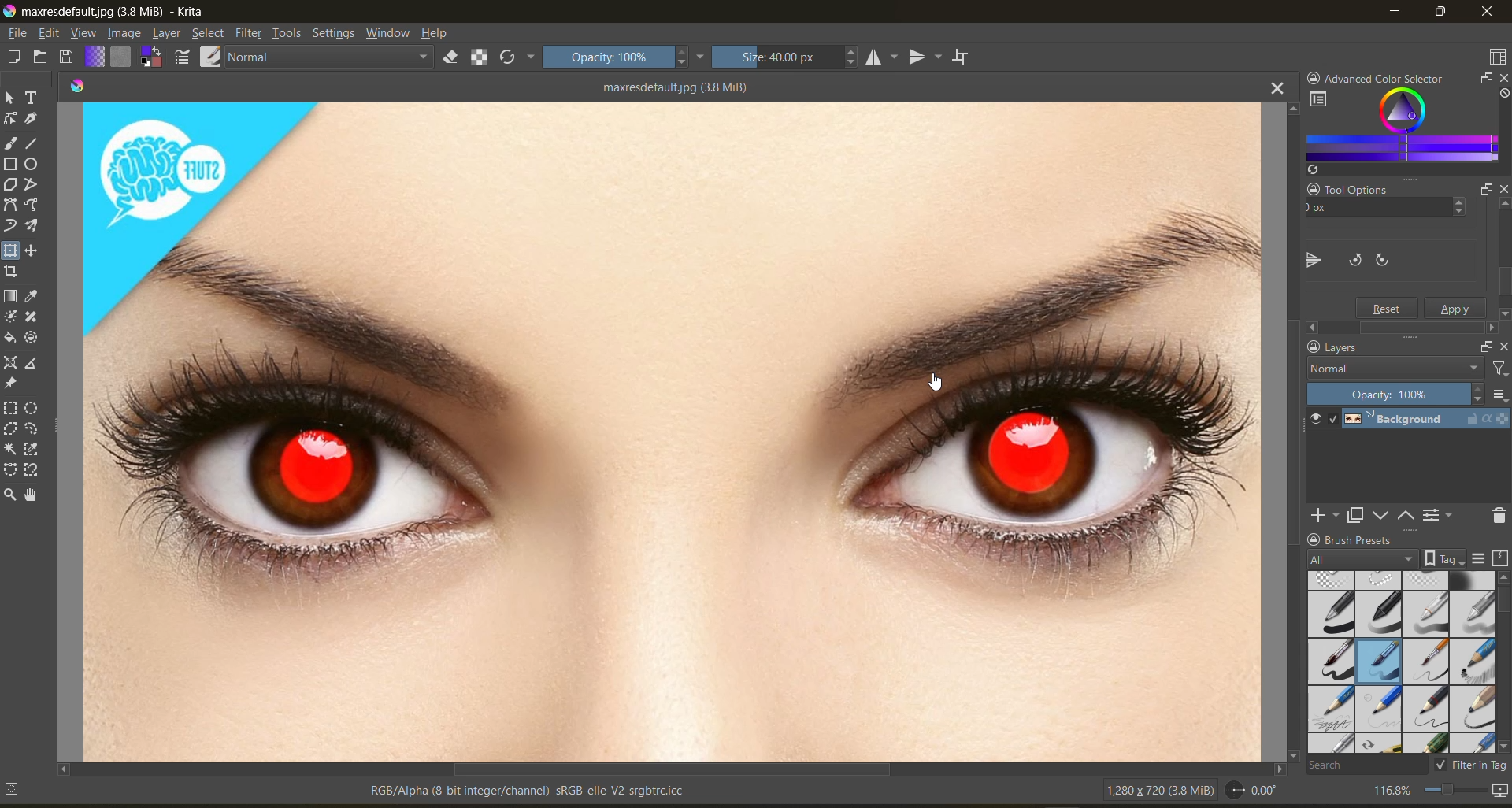 The image size is (1512, 808). Describe the element at coordinates (1355, 514) in the screenshot. I see `duplicate layer or mask` at that location.